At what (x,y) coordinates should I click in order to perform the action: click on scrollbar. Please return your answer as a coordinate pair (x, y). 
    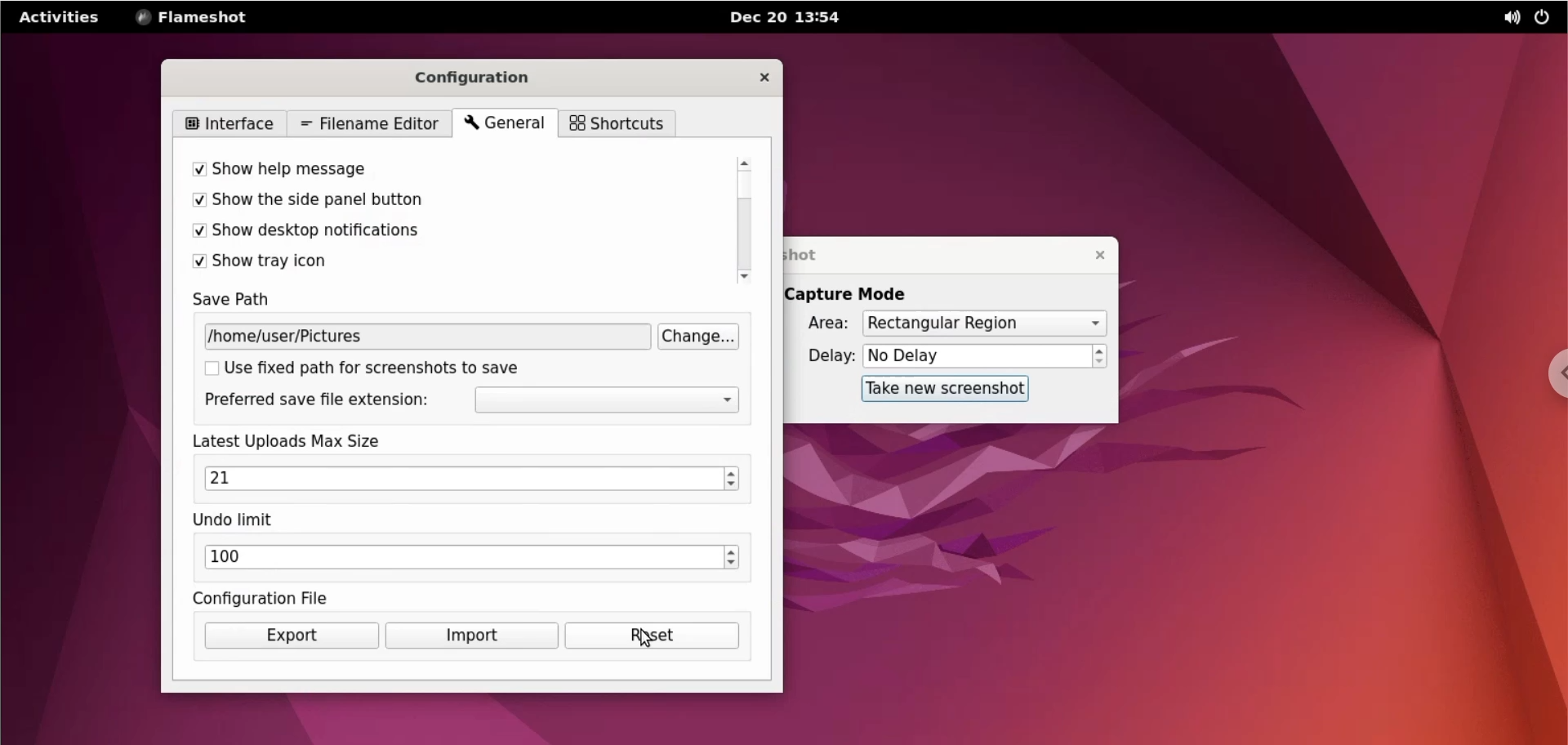
    Looking at the image, I should click on (742, 220).